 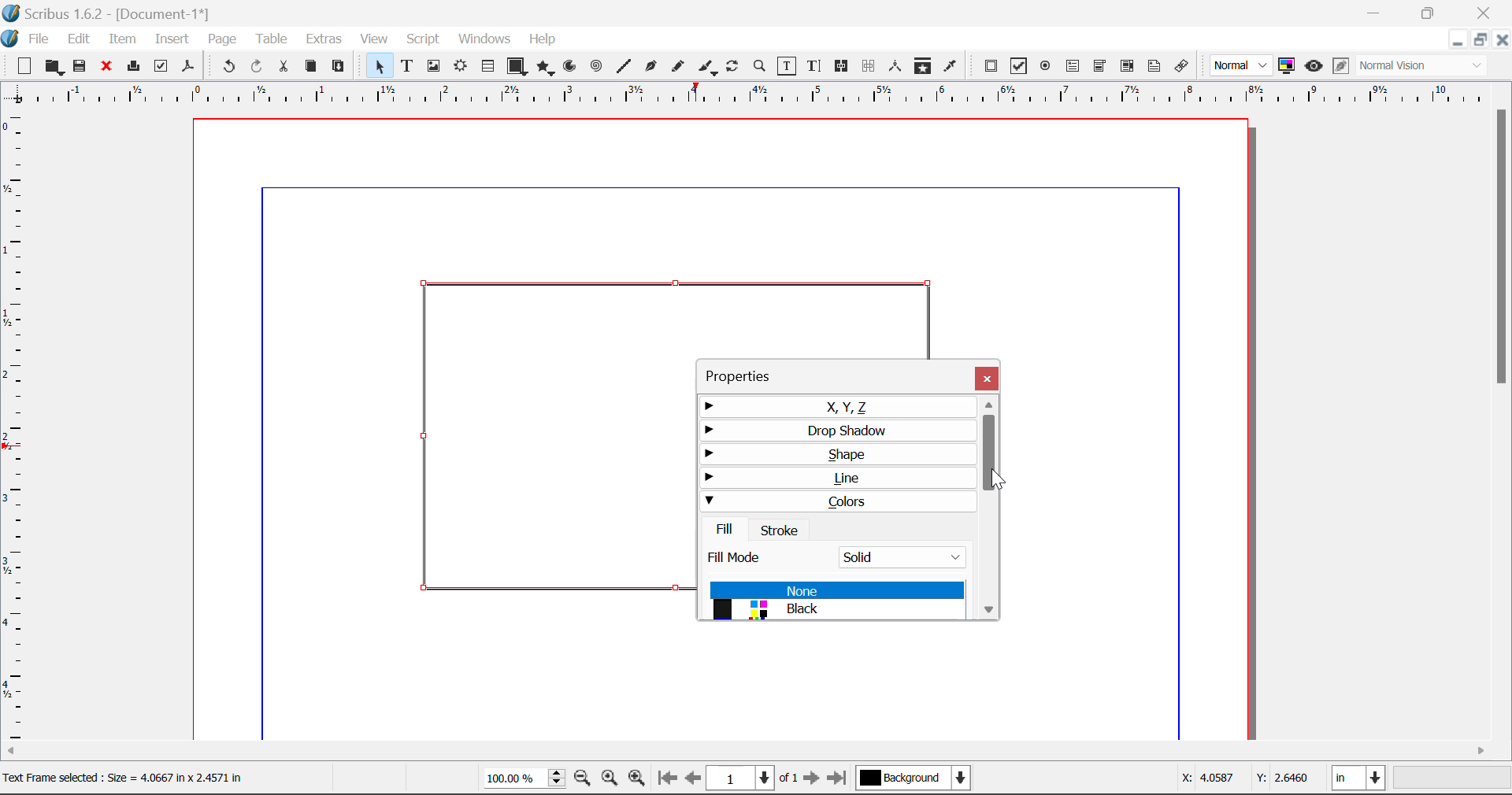 What do you see at coordinates (107, 67) in the screenshot?
I see `Discard` at bounding box center [107, 67].